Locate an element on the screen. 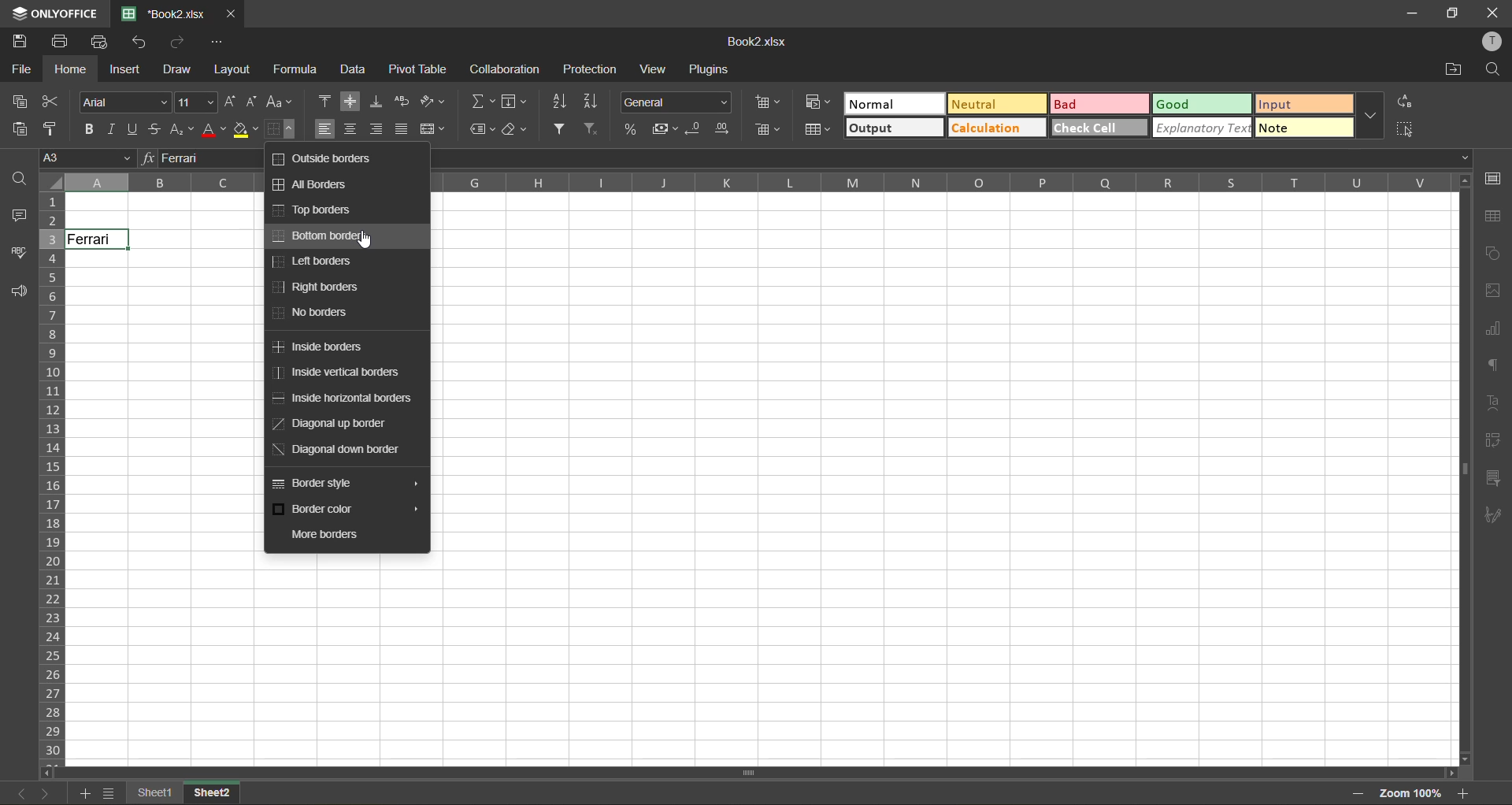 Image resolution: width=1512 pixels, height=805 pixels. sub/superscript is located at coordinates (183, 131).